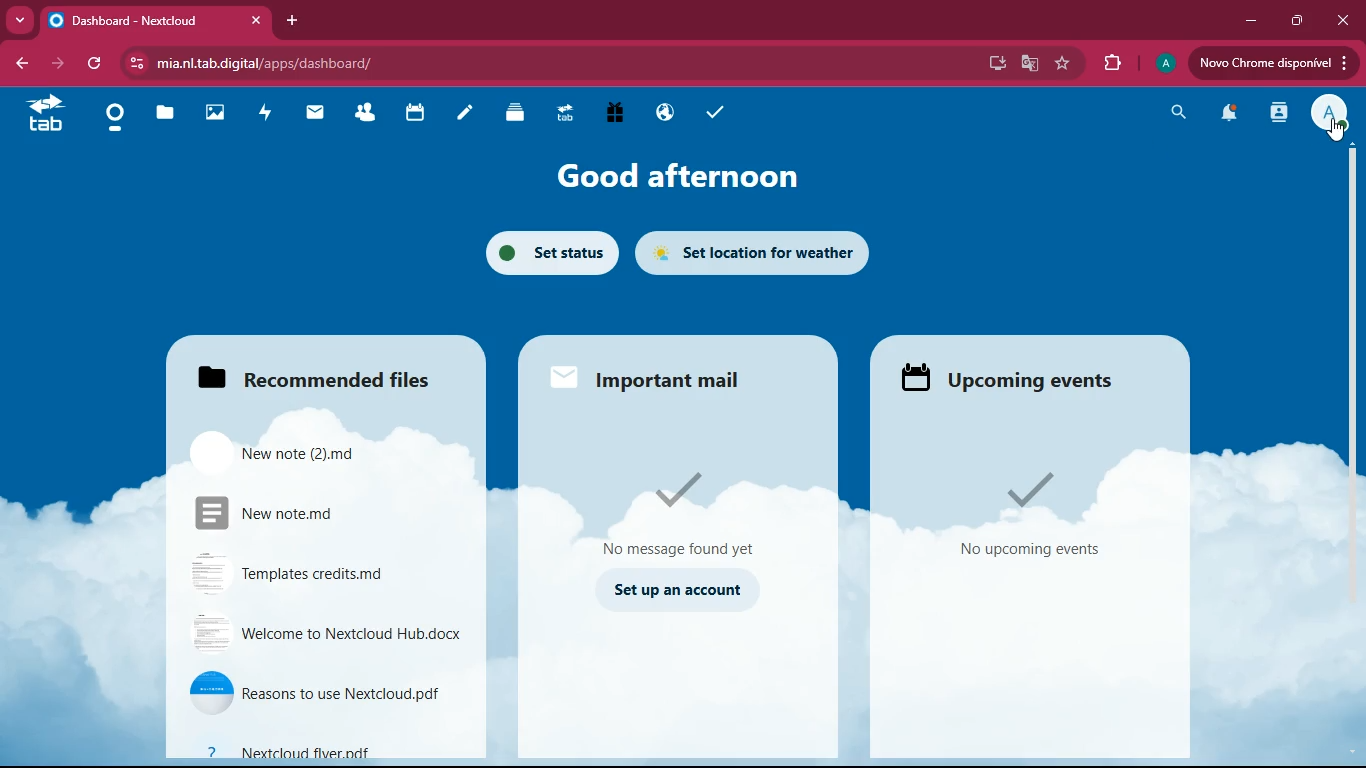 Image resolution: width=1366 pixels, height=768 pixels. I want to click on add tab, so click(292, 24).